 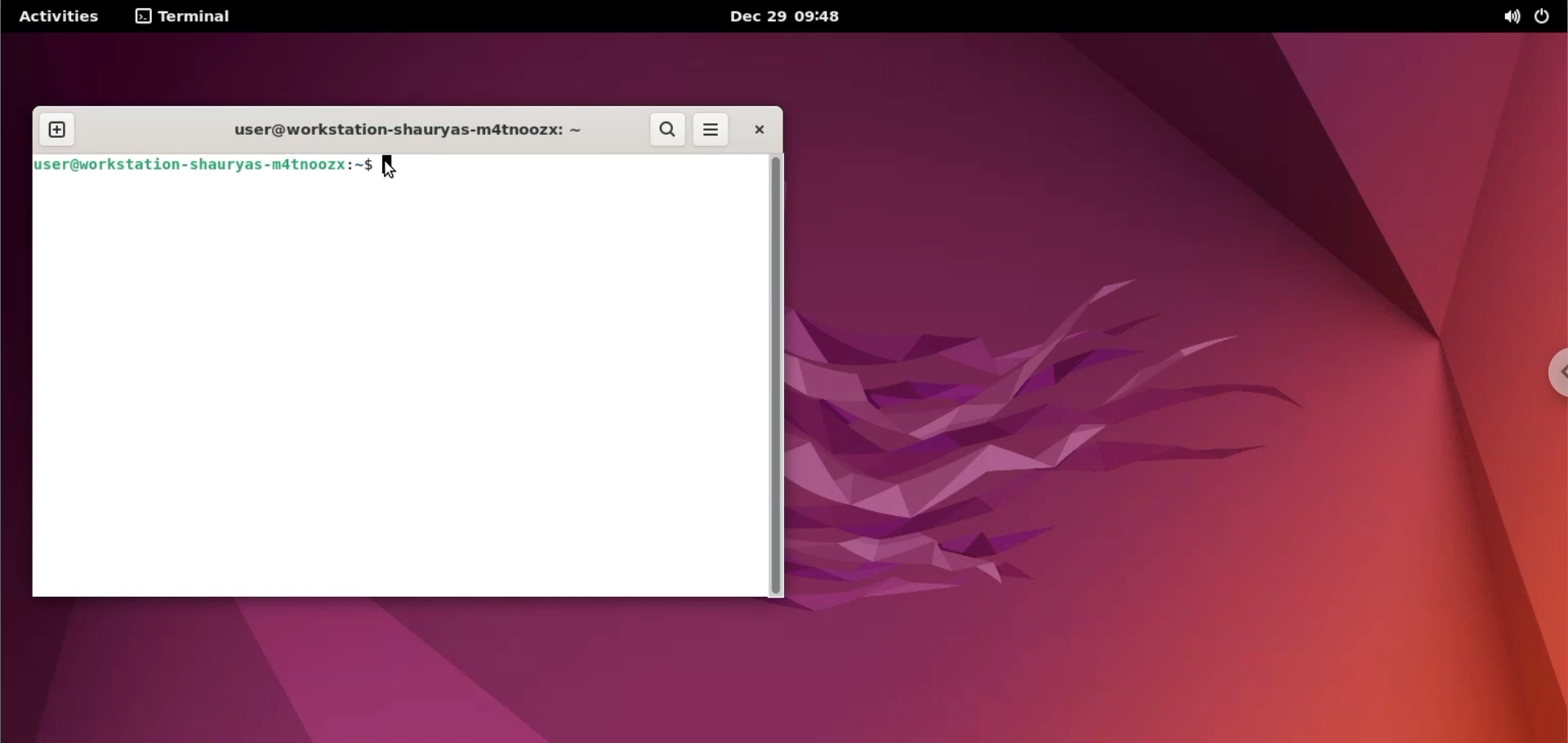 I want to click on user@workstation-shauryas-m4tnoozx:-$, so click(x=203, y=165).